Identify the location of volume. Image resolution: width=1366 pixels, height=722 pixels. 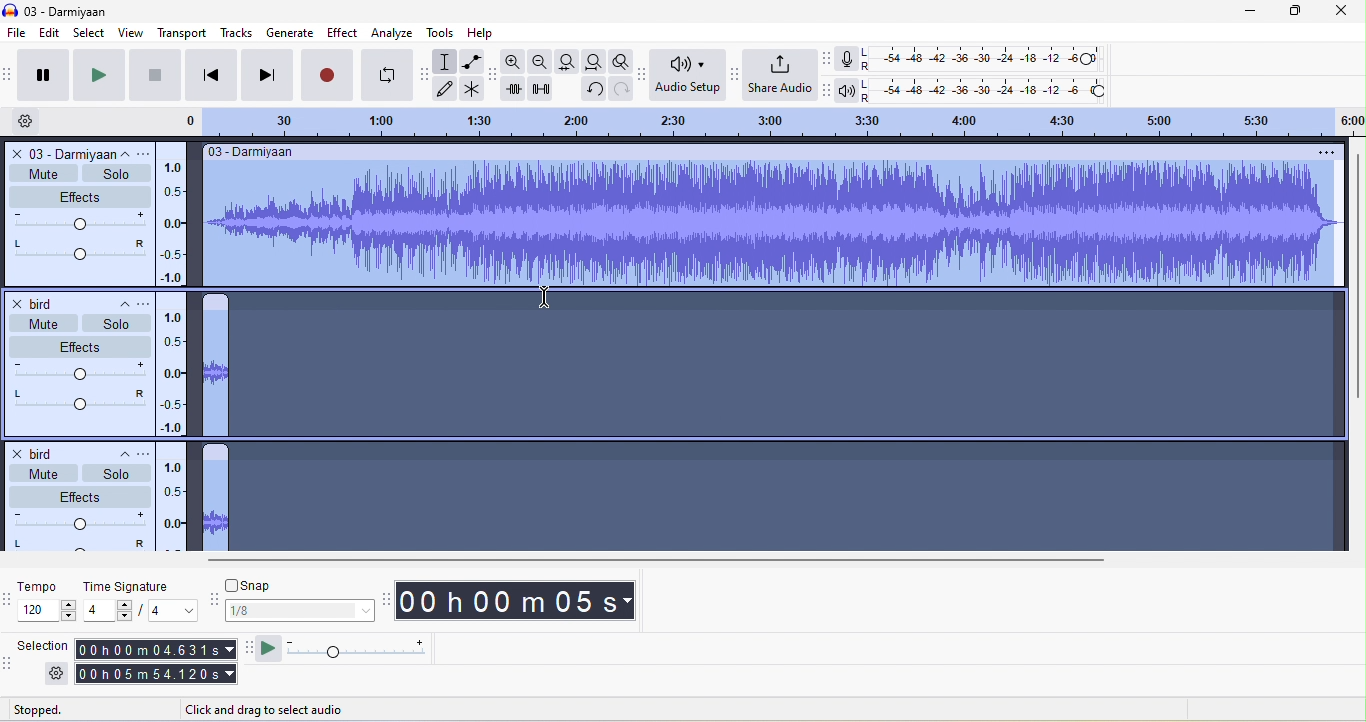
(78, 519).